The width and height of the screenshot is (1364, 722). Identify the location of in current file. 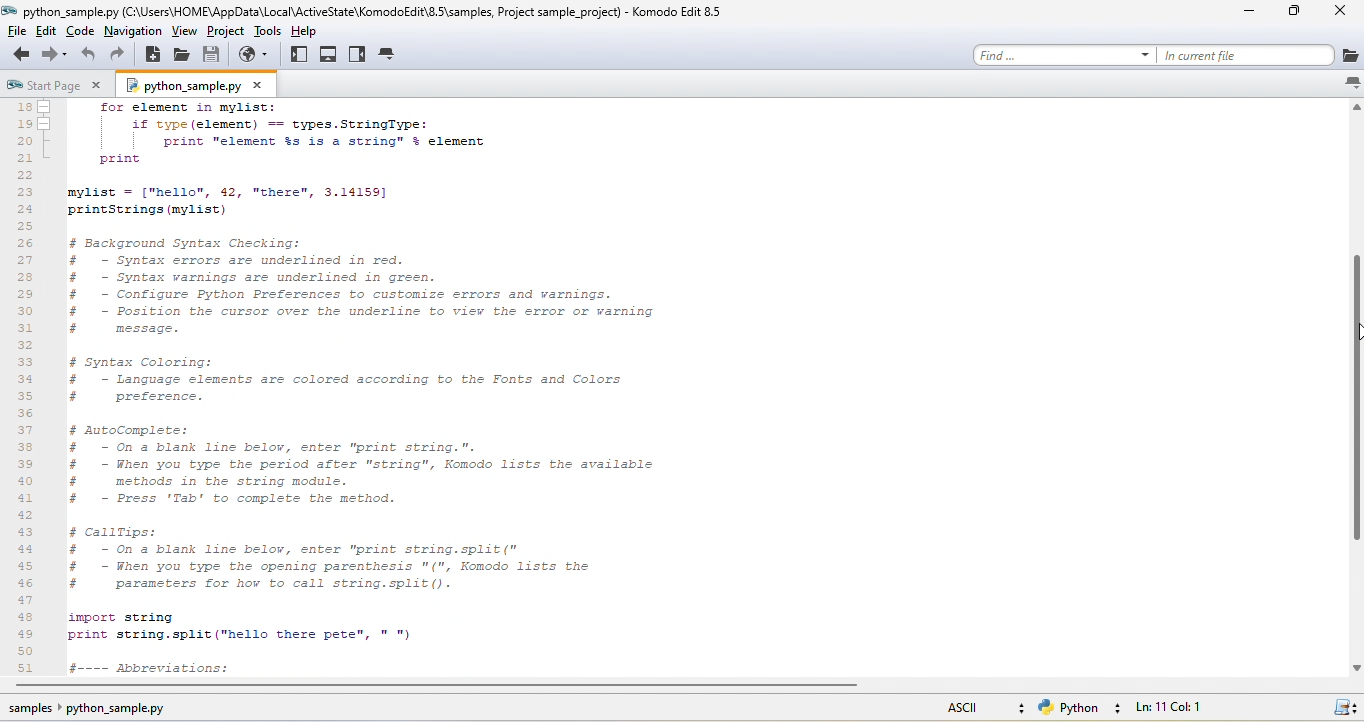
(1259, 55).